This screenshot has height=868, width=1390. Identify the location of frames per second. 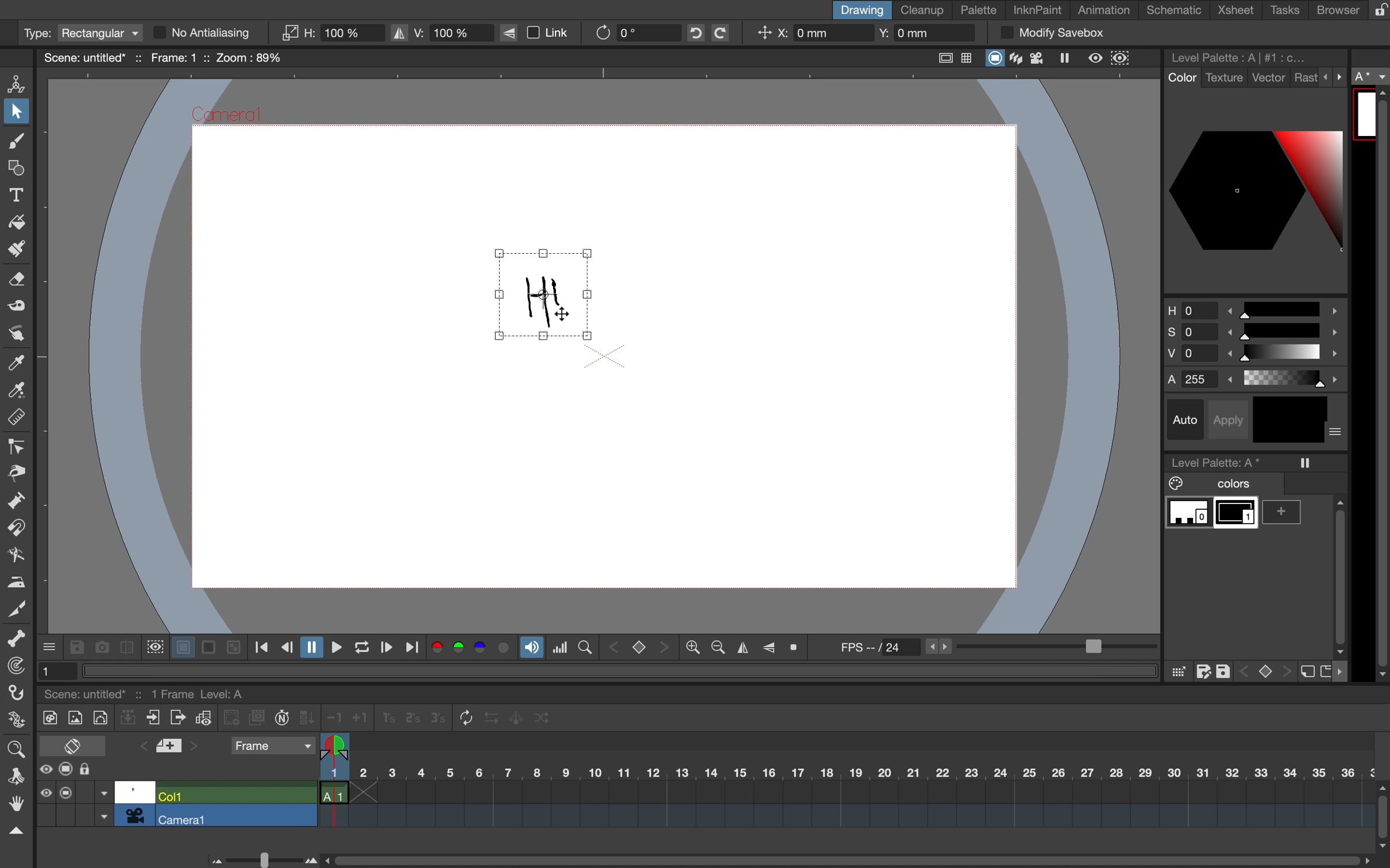
(991, 648).